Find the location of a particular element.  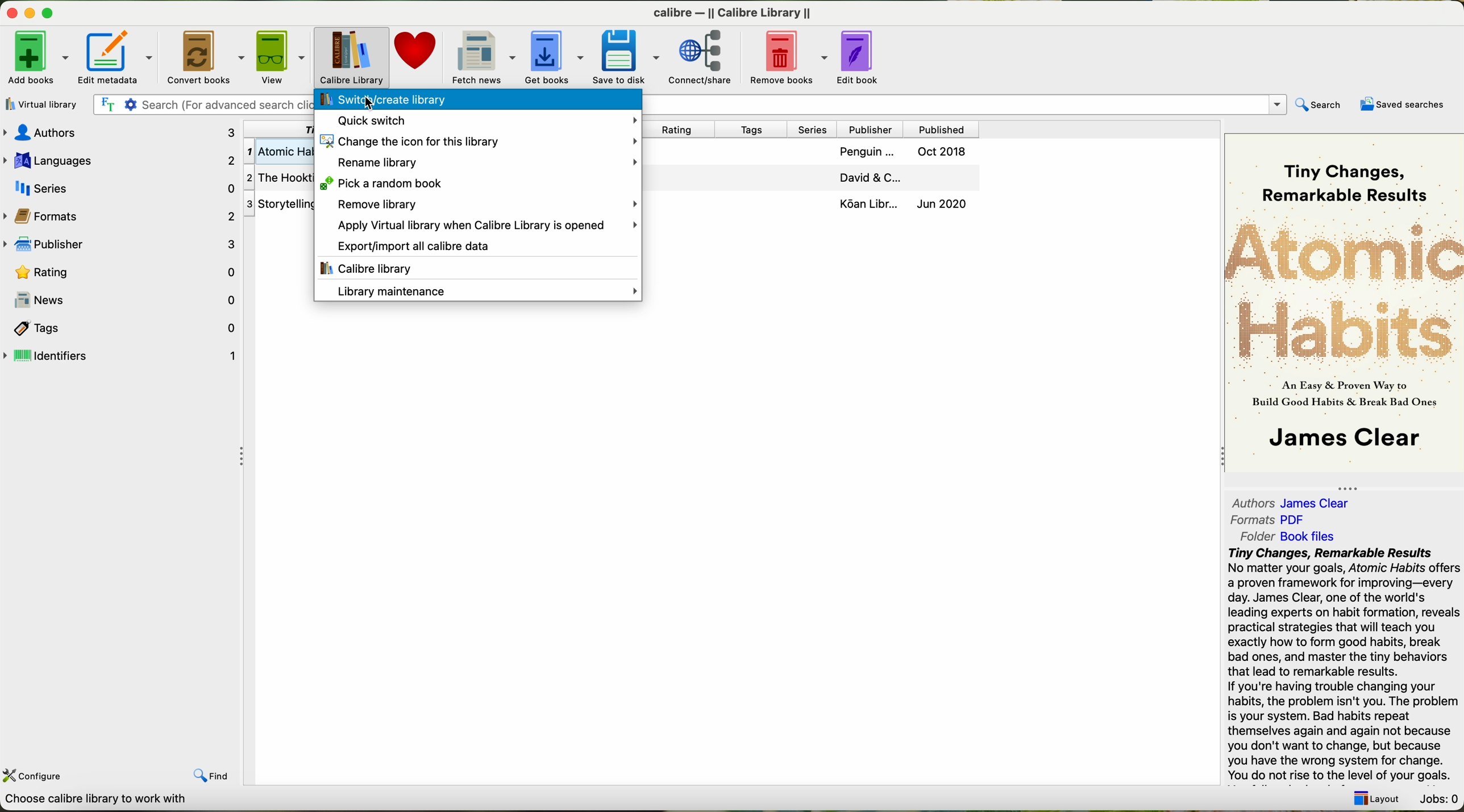

rating is located at coordinates (681, 130).